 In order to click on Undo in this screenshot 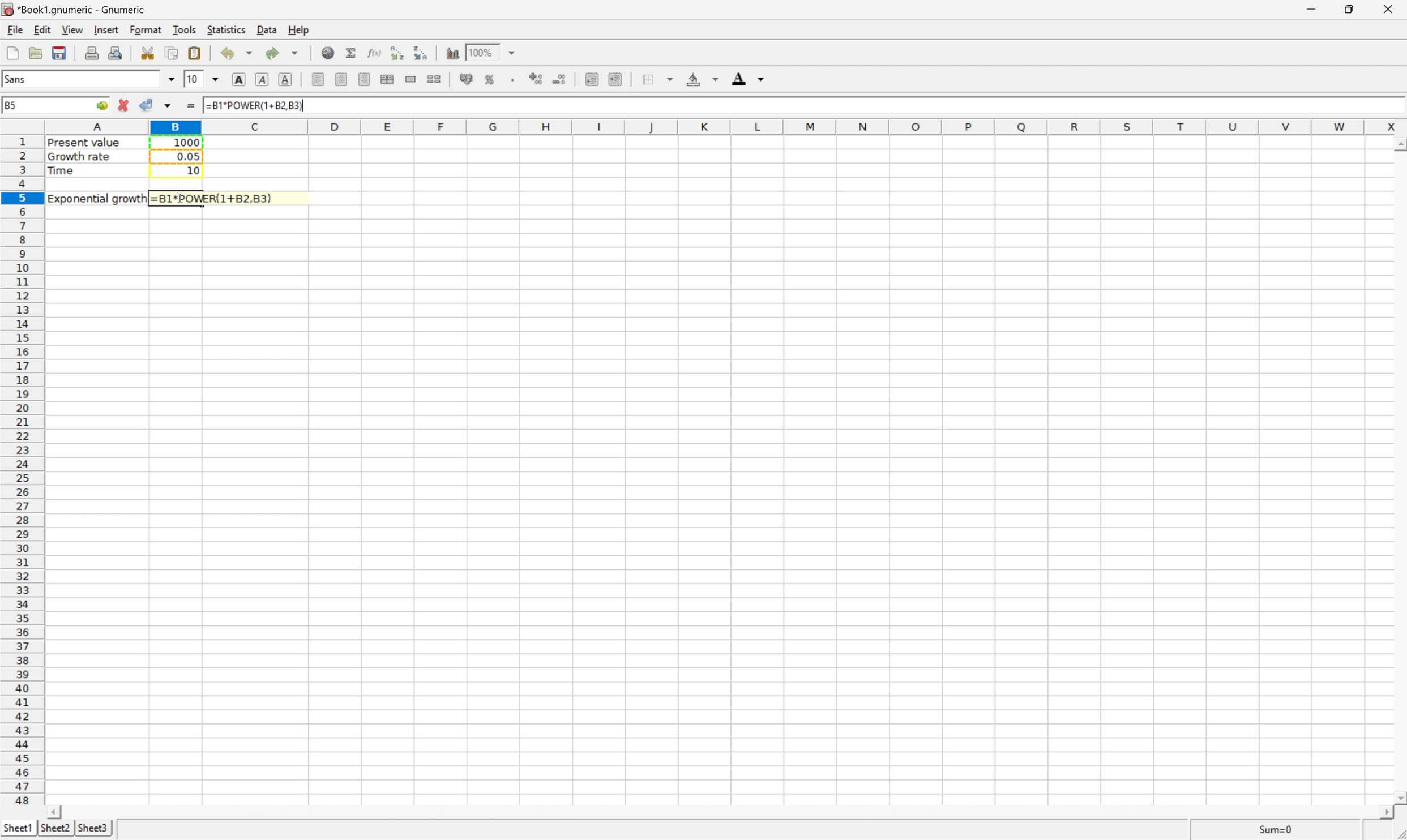, I will do `click(234, 52)`.